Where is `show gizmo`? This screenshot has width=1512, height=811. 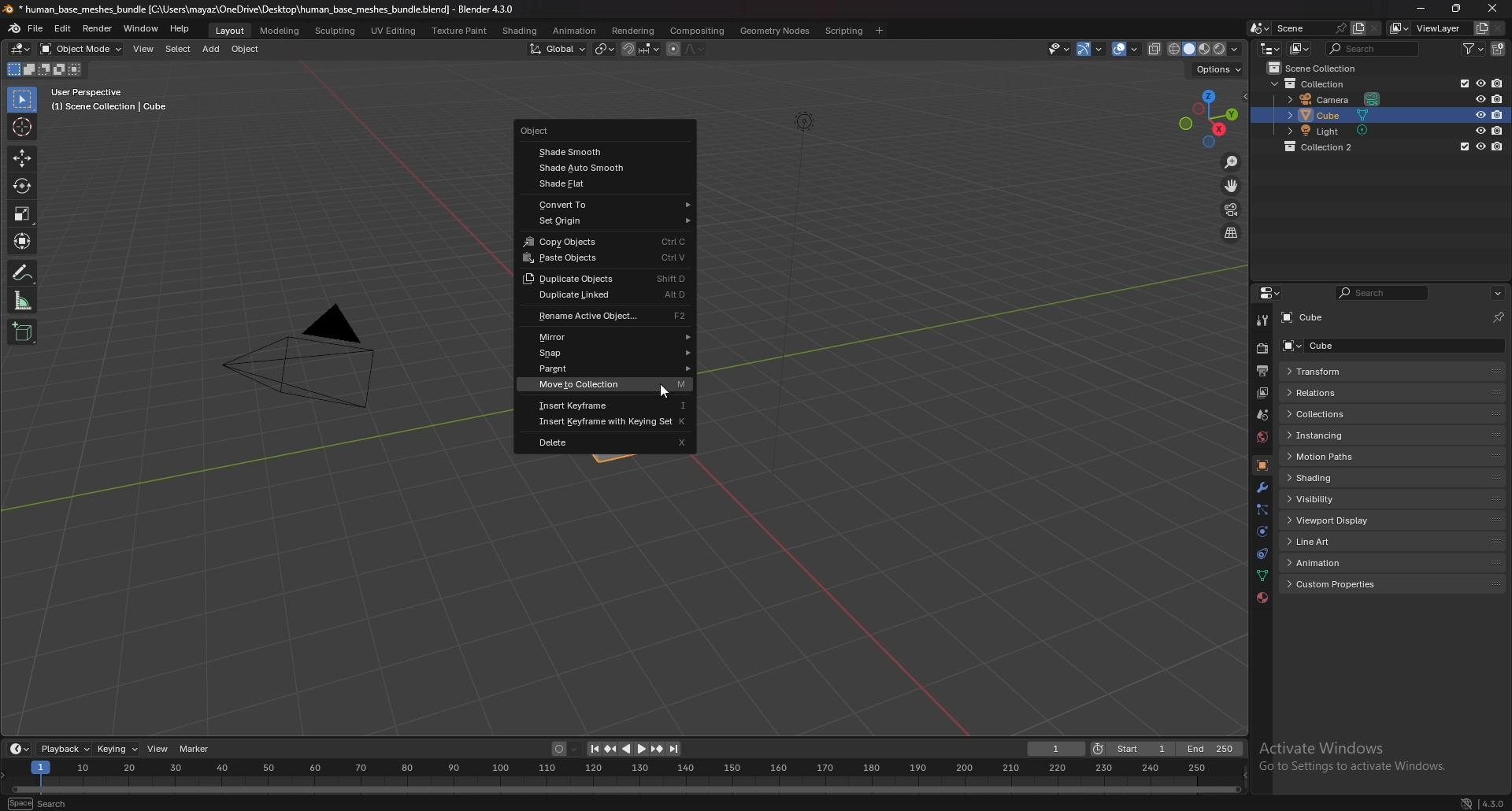 show gizmo is located at coordinates (1090, 50).